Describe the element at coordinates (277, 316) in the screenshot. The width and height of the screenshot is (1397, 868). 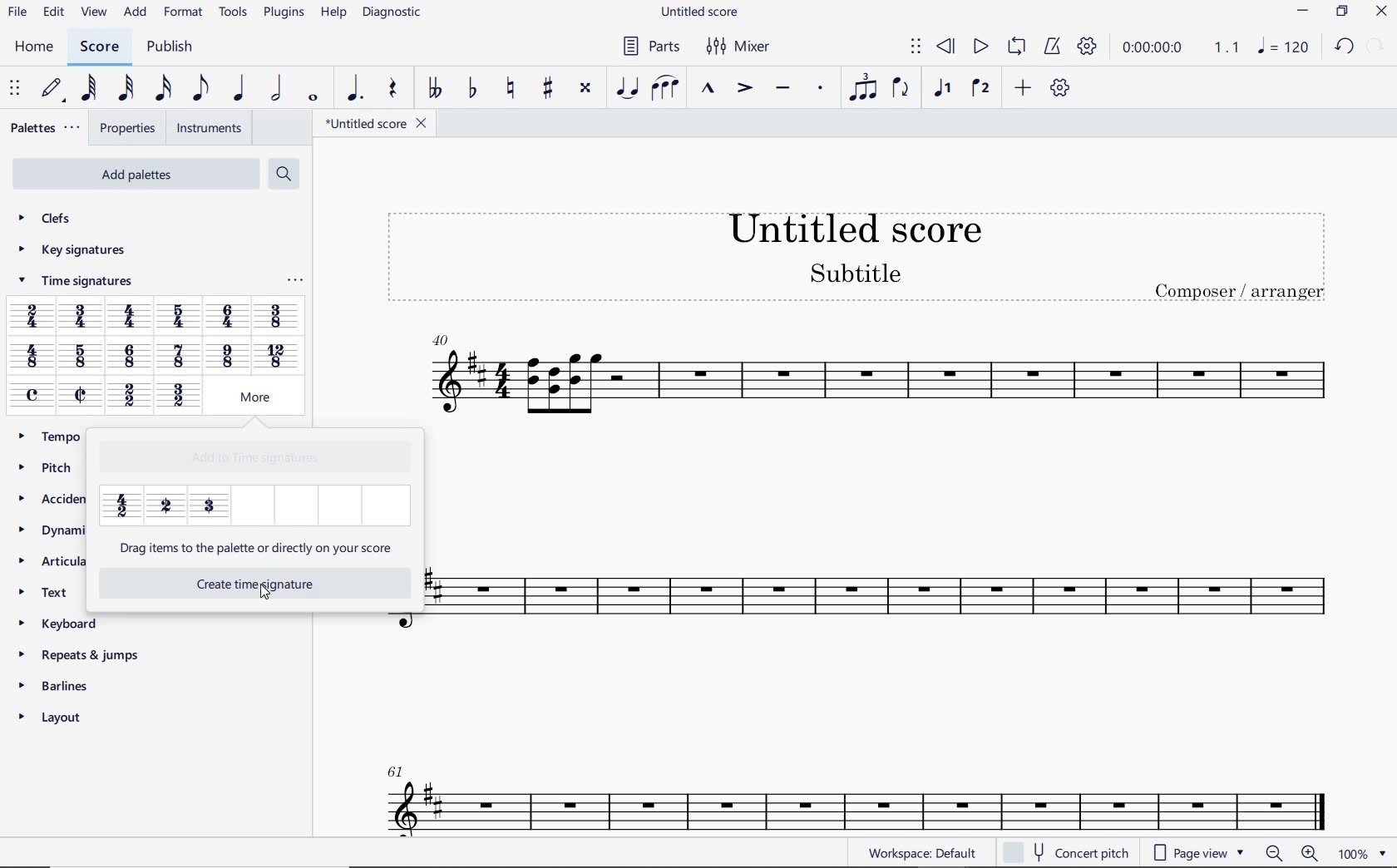
I see `3/8` at that location.